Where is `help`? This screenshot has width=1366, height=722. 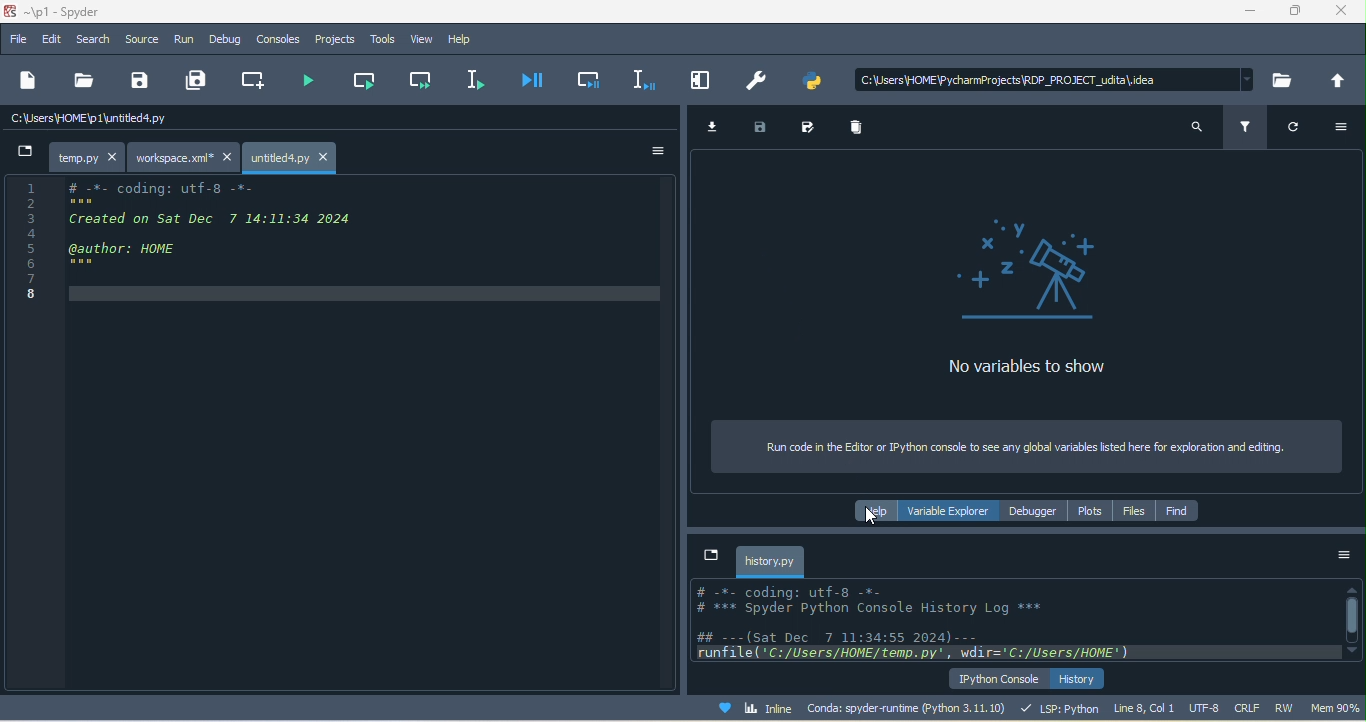
help is located at coordinates (868, 511).